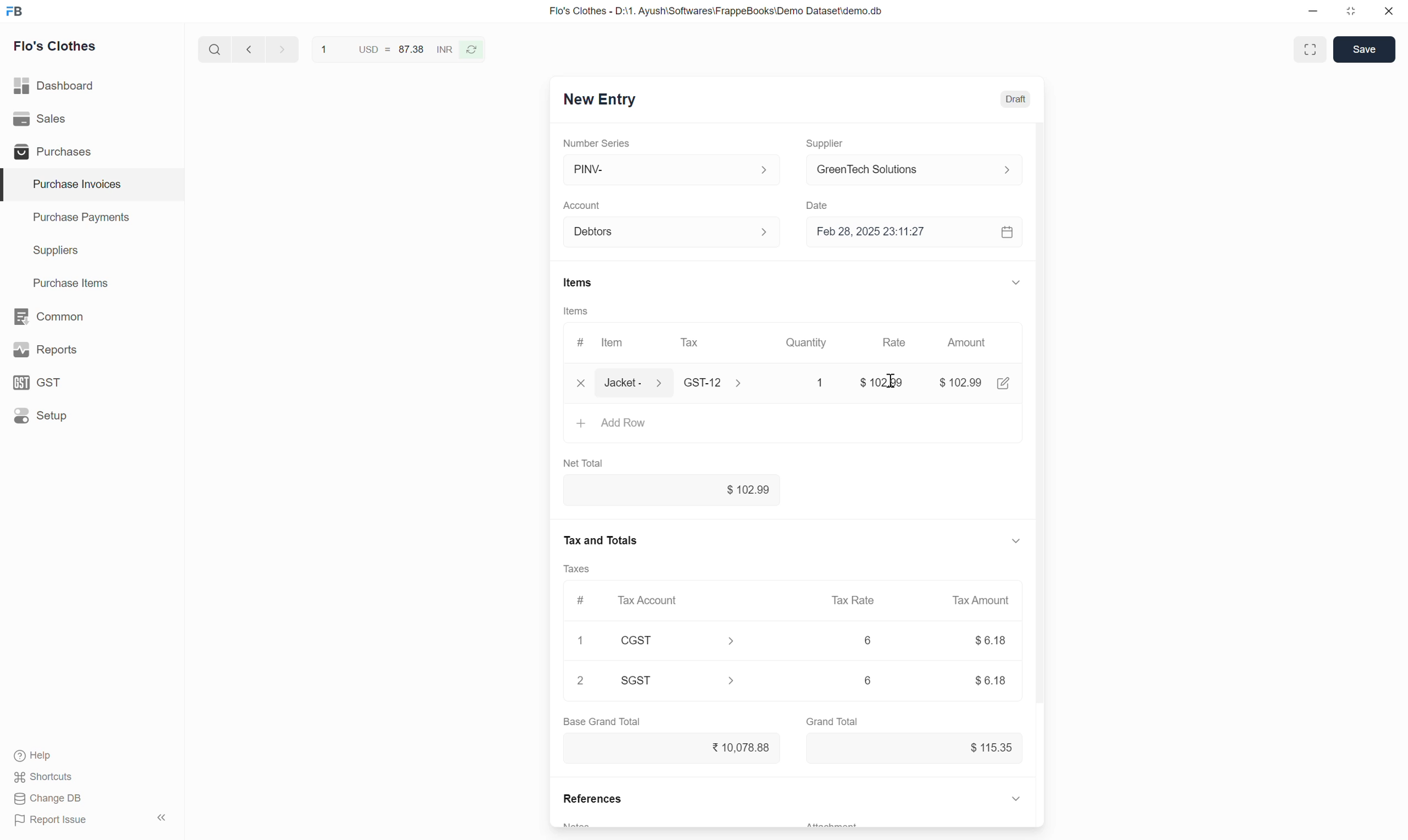 This screenshot has width=1408, height=840. Describe the element at coordinates (679, 680) in the screenshot. I see `SGST` at that location.